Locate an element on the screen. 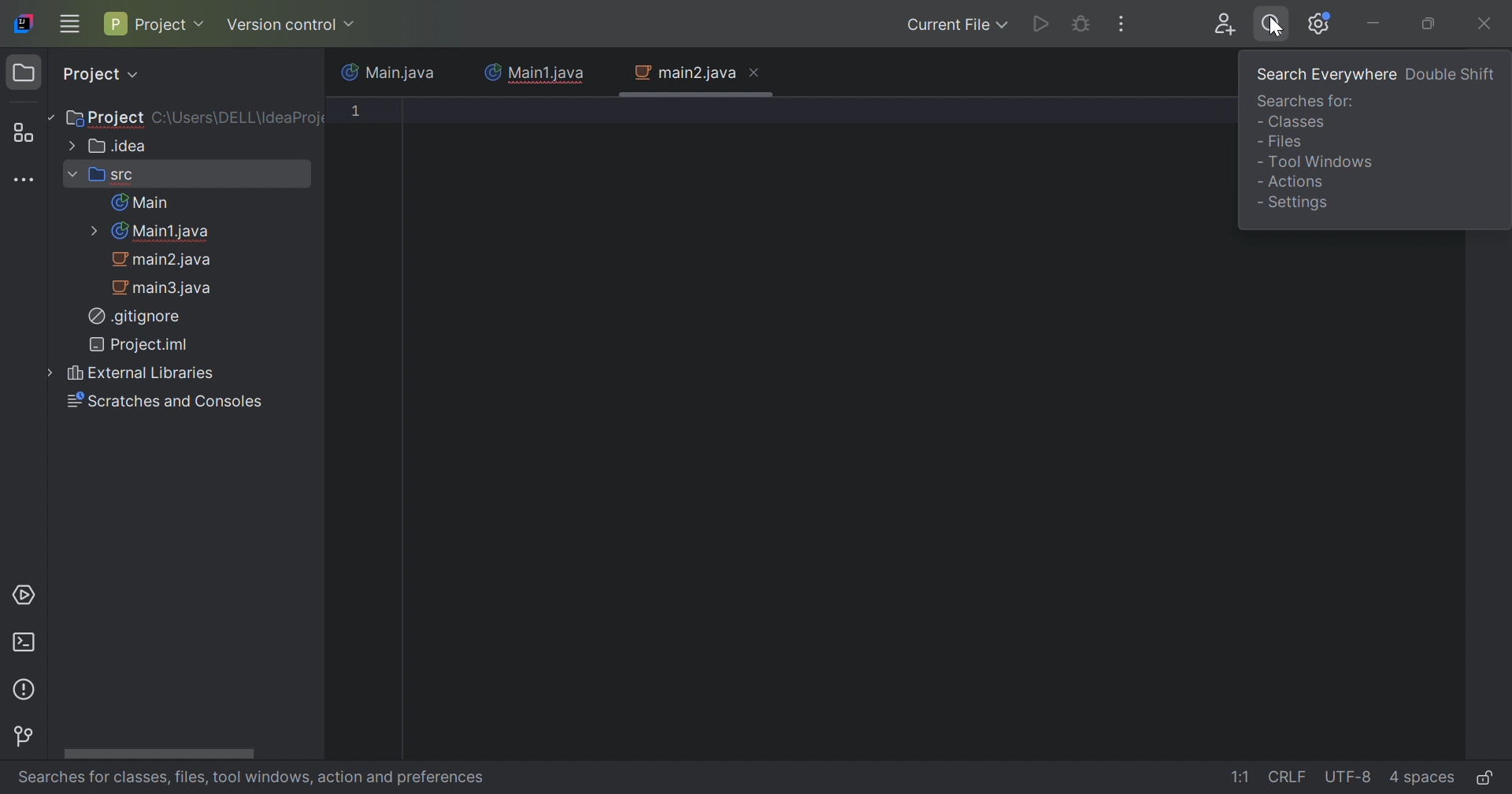 The width and height of the screenshot is (1512, 794). Project.iml is located at coordinates (143, 343).